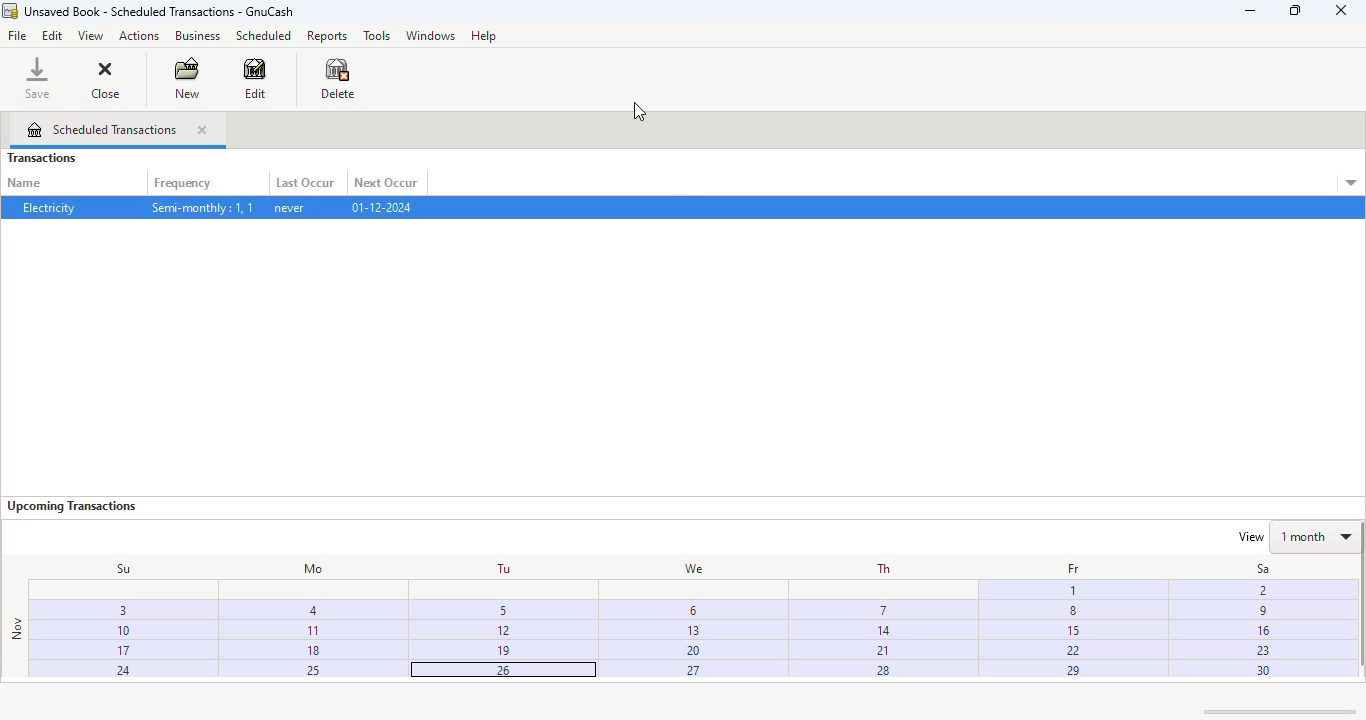 The width and height of the screenshot is (1366, 720). What do you see at coordinates (1252, 569) in the screenshot?
I see `Sa` at bounding box center [1252, 569].